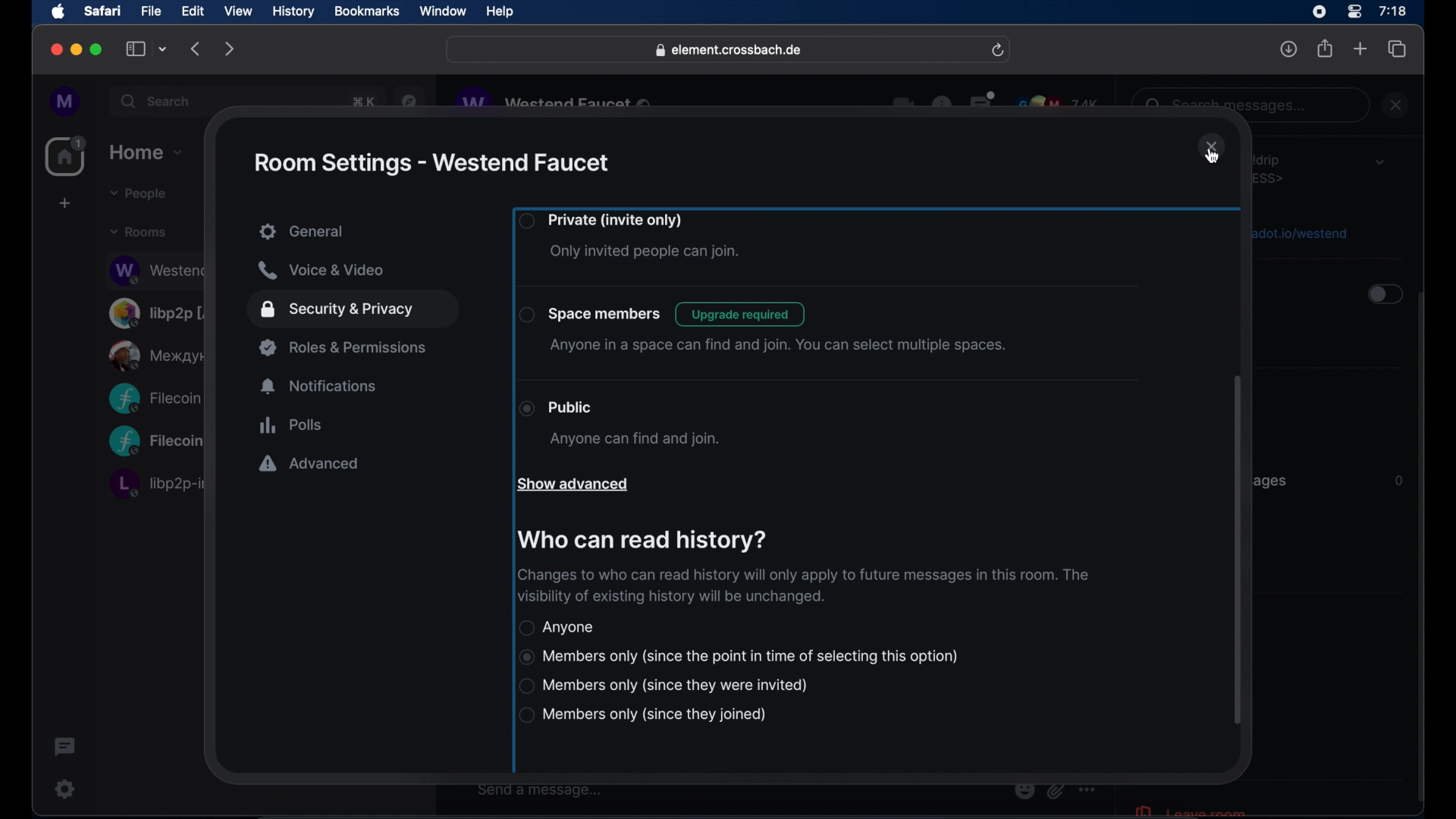 The width and height of the screenshot is (1456, 819). What do you see at coordinates (1353, 12) in the screenshot?
I see `control center` at bounding box center [1353, 12].